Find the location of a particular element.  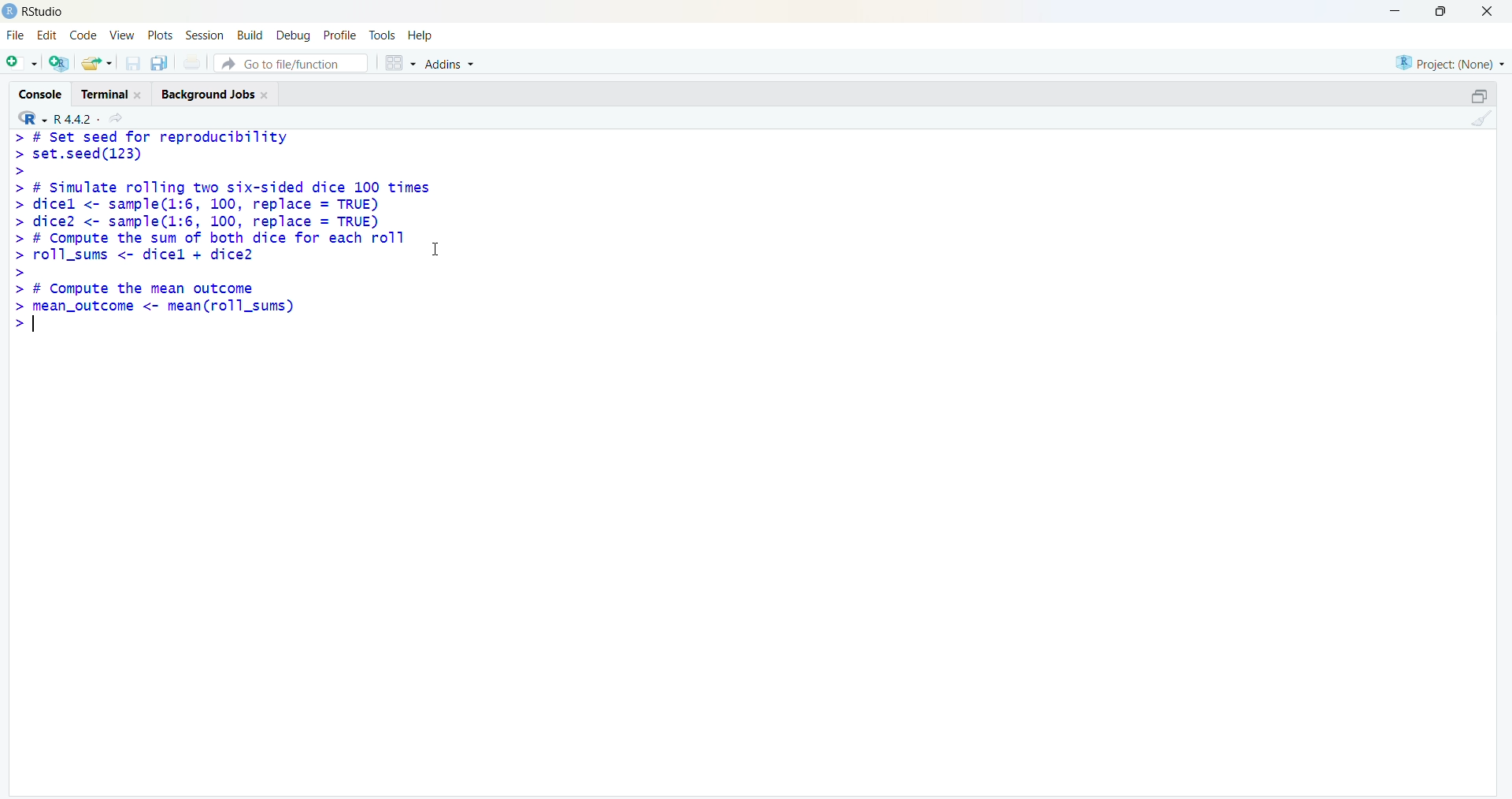

add file as is located at coordinates (23, 63).